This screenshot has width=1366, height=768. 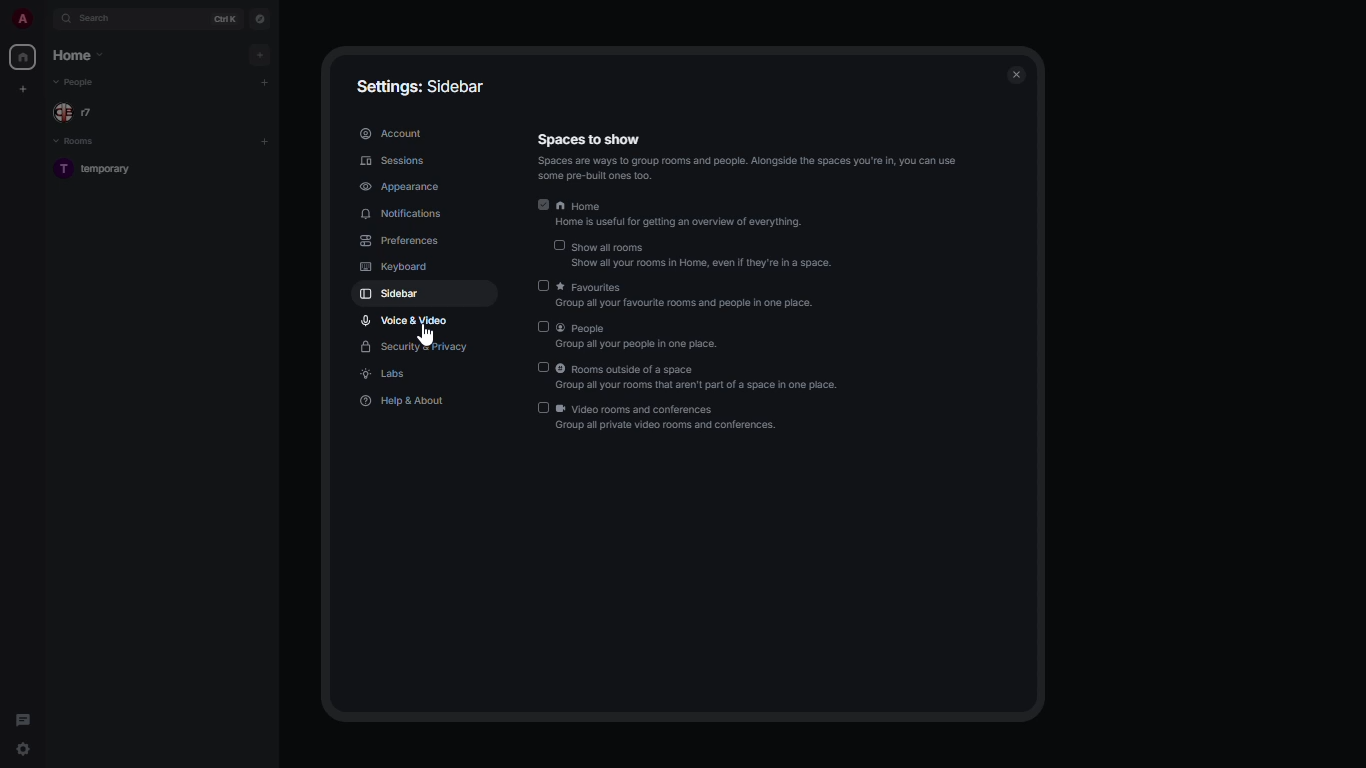 What do you see at coordinates (1016, 77) in the screenshot?
I see `close` at bounding box center [1016, 77].